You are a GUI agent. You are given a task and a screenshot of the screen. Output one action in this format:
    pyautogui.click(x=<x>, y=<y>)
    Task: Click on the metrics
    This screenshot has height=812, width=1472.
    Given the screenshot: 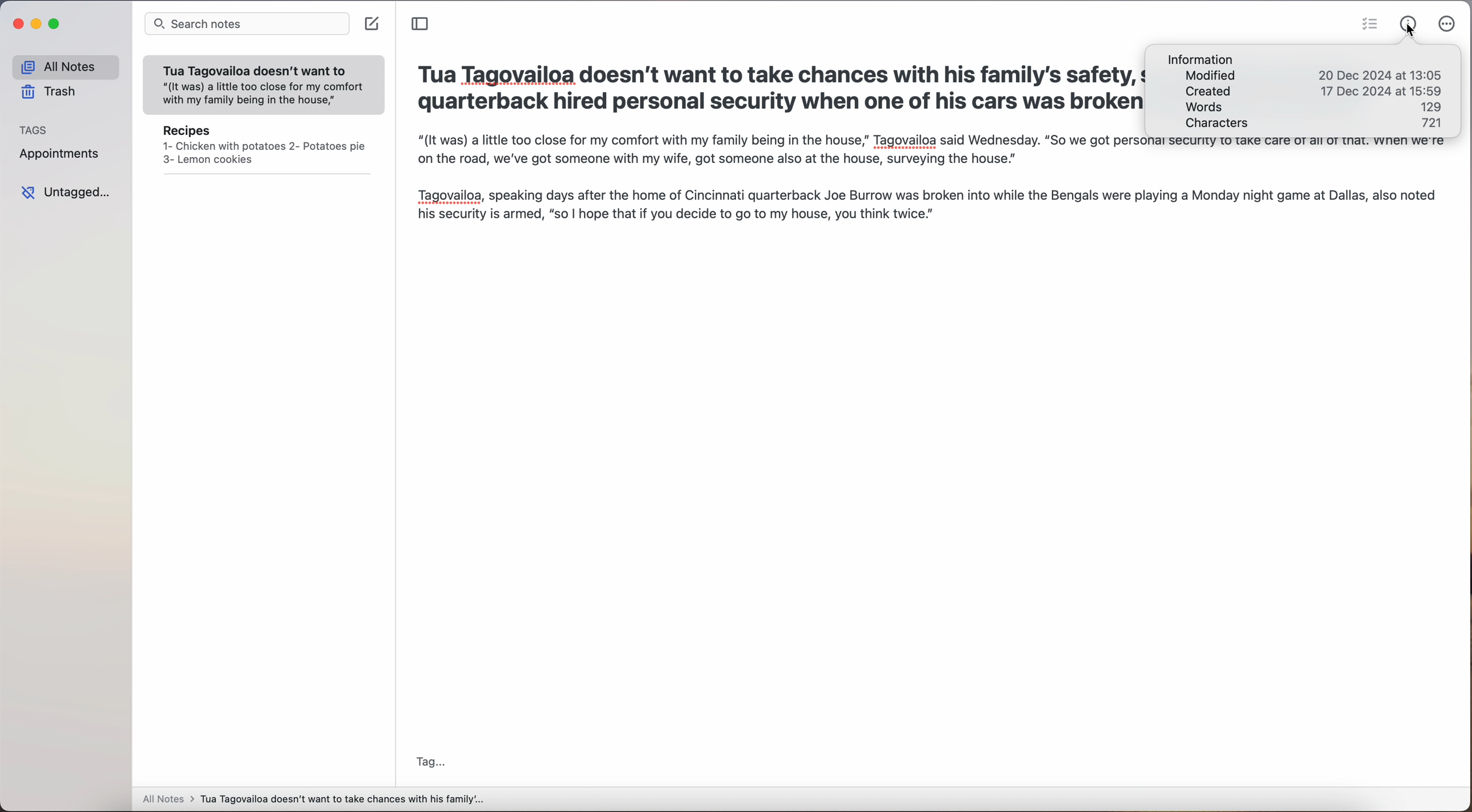 What is the action you would take?
    pyautogui.click(x=1407, y=17)
    